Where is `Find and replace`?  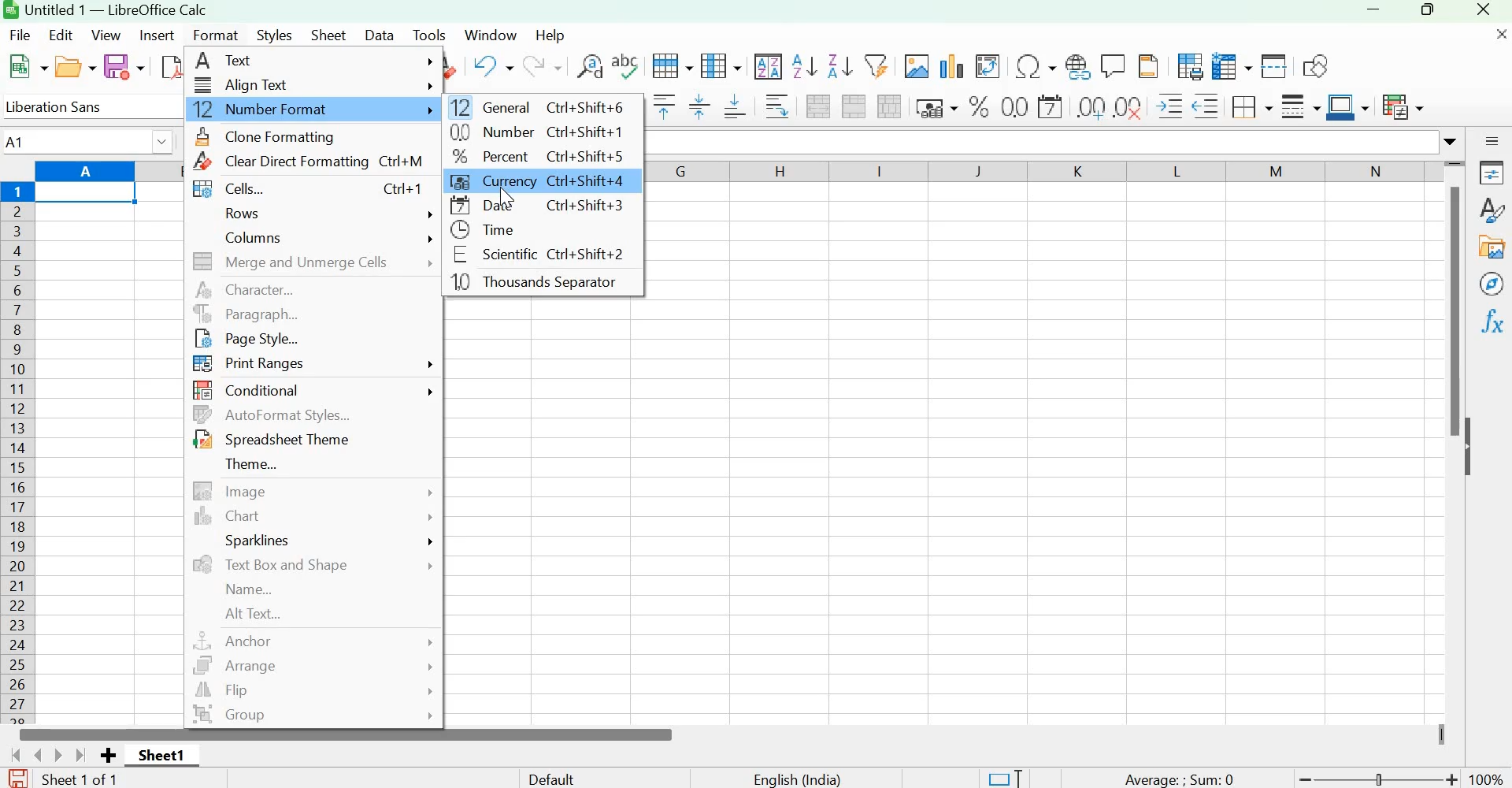 Find and replace is located at coordinates (588, 66).